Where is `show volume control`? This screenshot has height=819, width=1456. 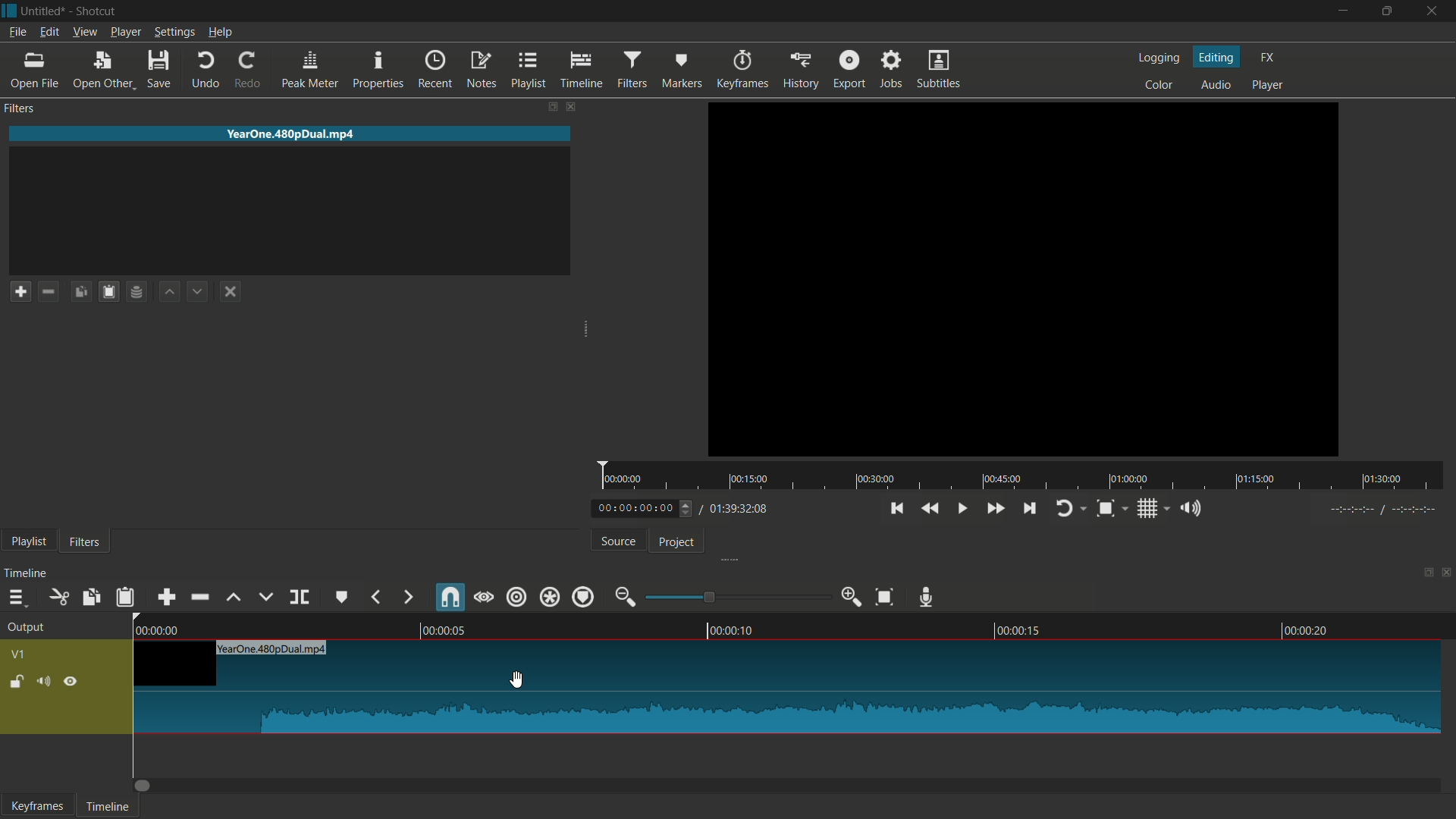 show volume control is located at coordinates (1194, 509).